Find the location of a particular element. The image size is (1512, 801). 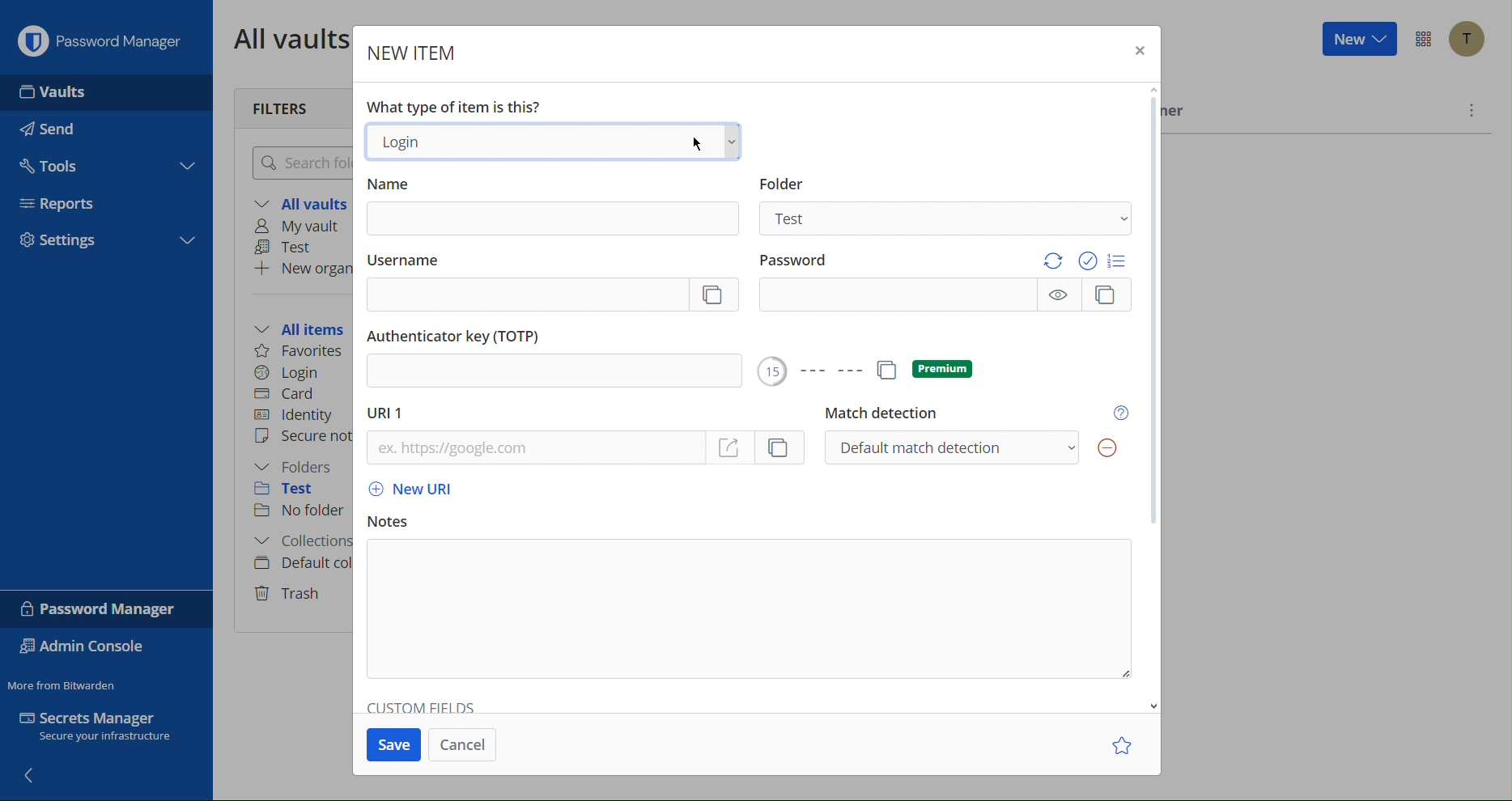

Secrets Manager is located at coordinates (99, 724).